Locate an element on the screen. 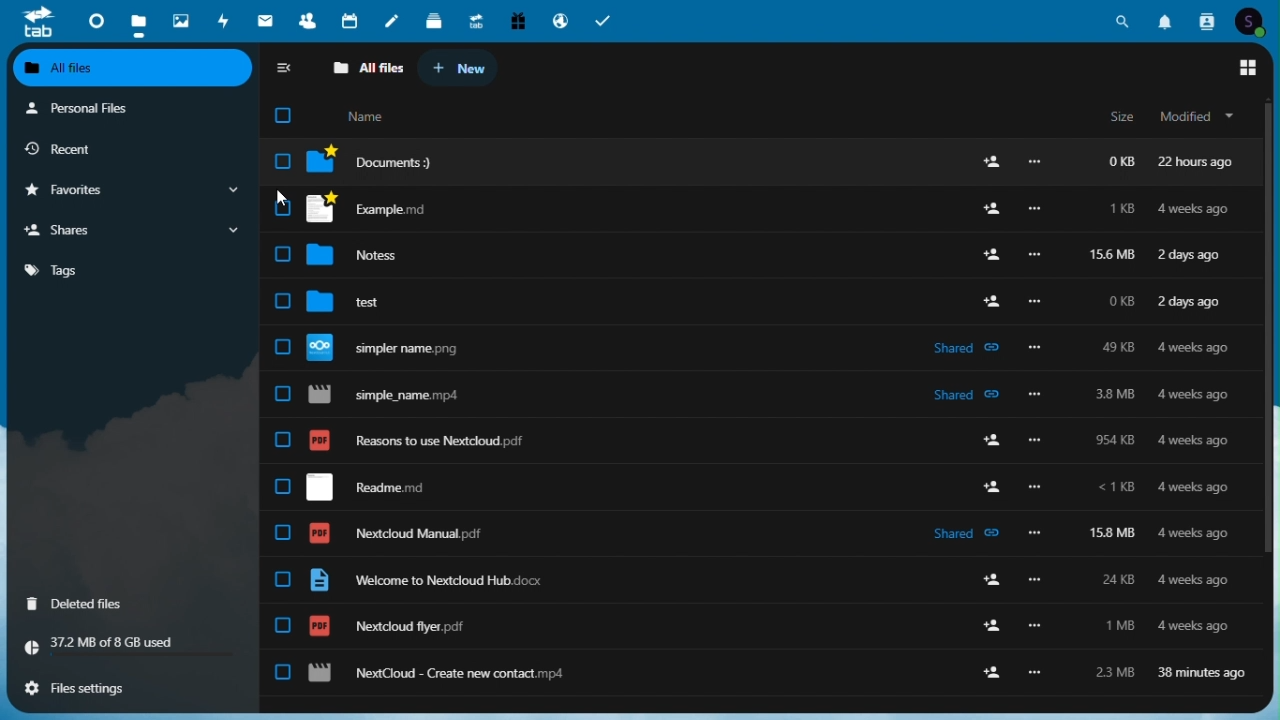 The width and height of the screenshot is (1280, 720). neucloud-create new contact.mp4 is located at coordinates (447, 672).